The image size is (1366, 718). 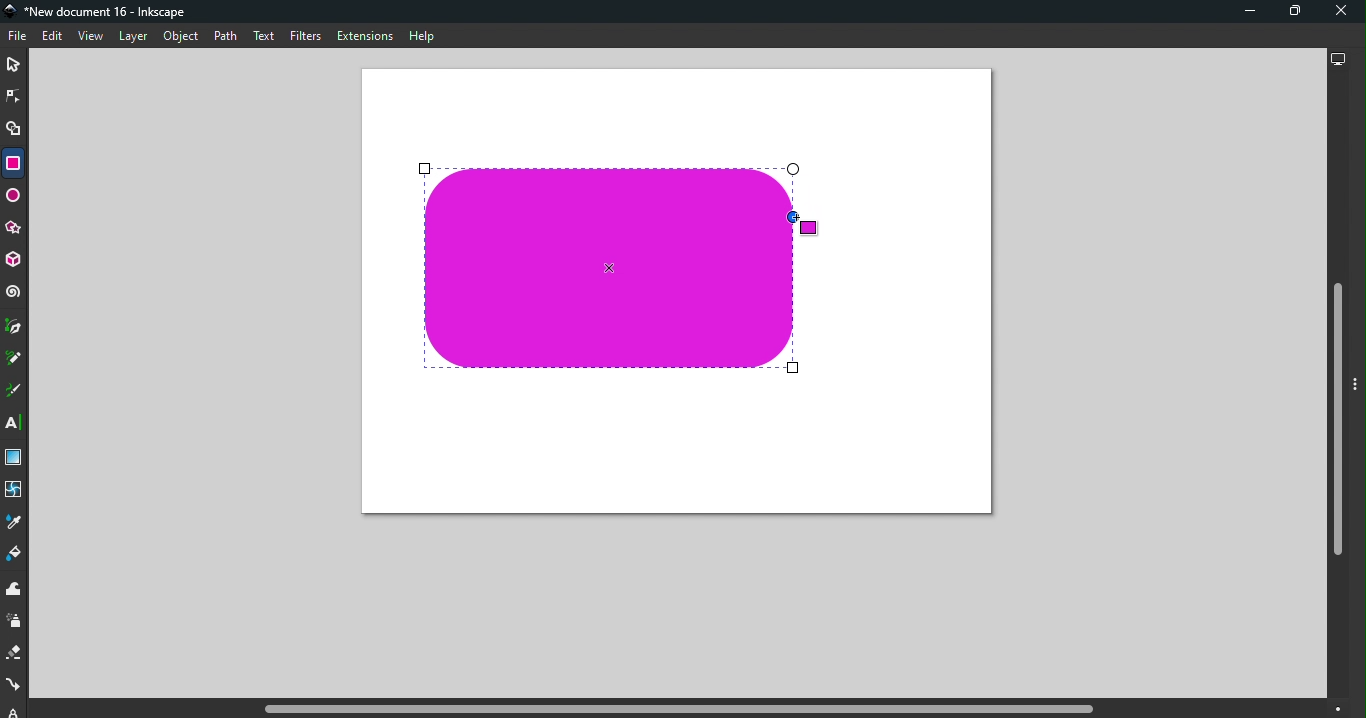 I want to click on Tweak tool, so click(x=18, y=590).